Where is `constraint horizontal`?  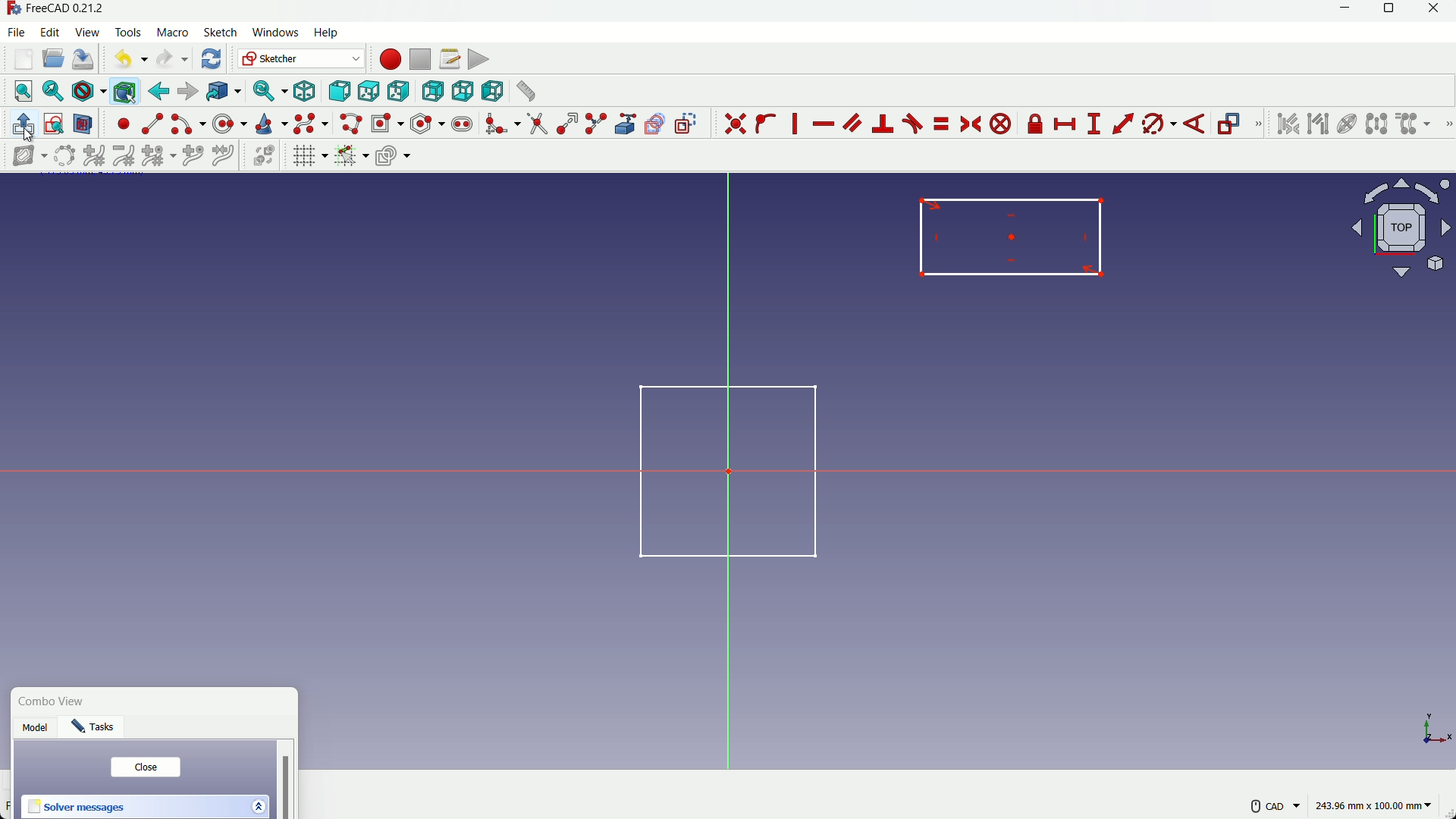 constraint horizontal is located at coordinates (823, 125).